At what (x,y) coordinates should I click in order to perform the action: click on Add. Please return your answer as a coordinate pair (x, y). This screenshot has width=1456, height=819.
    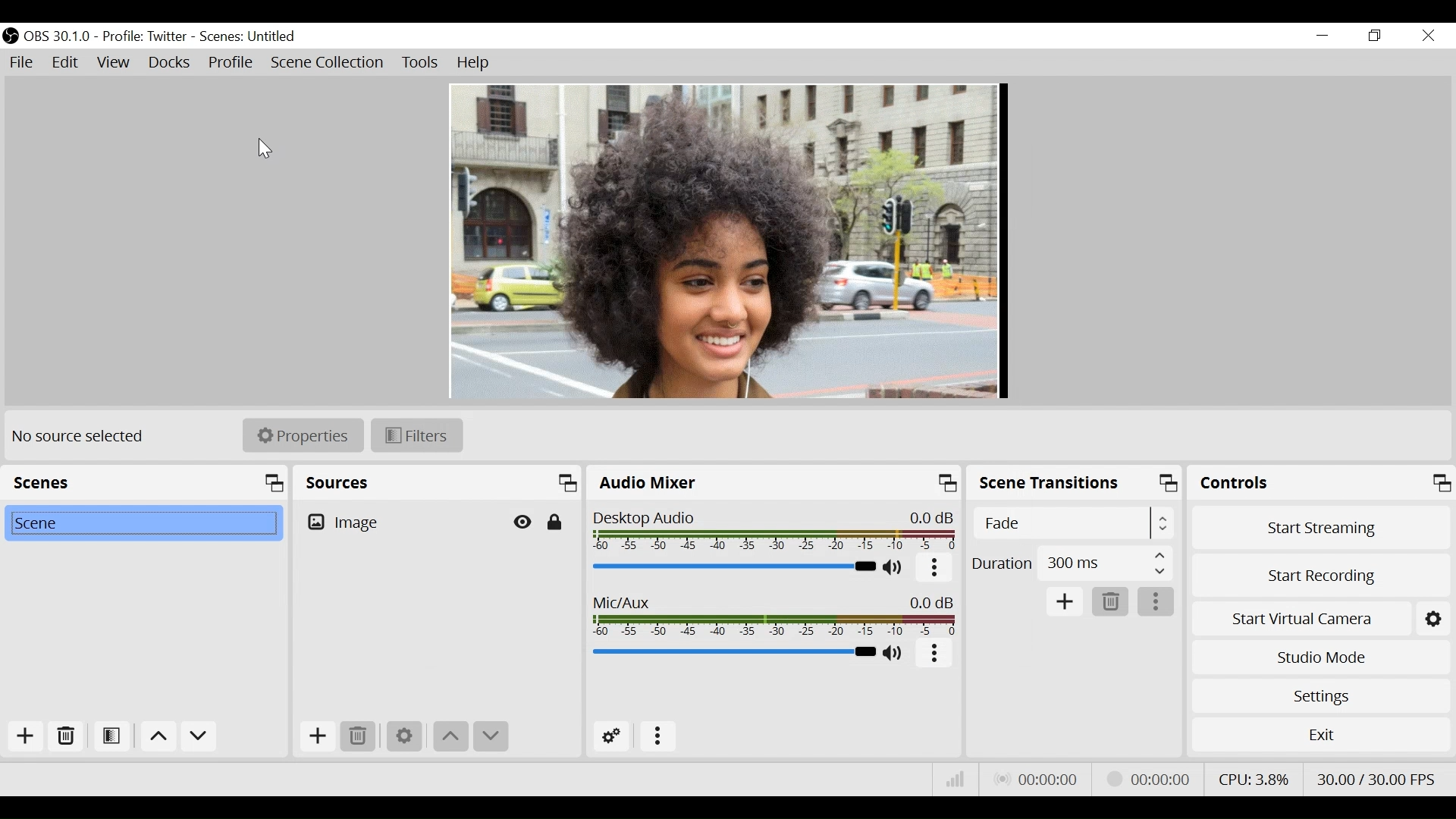
    Looking at the image, I should click on (316, 736).